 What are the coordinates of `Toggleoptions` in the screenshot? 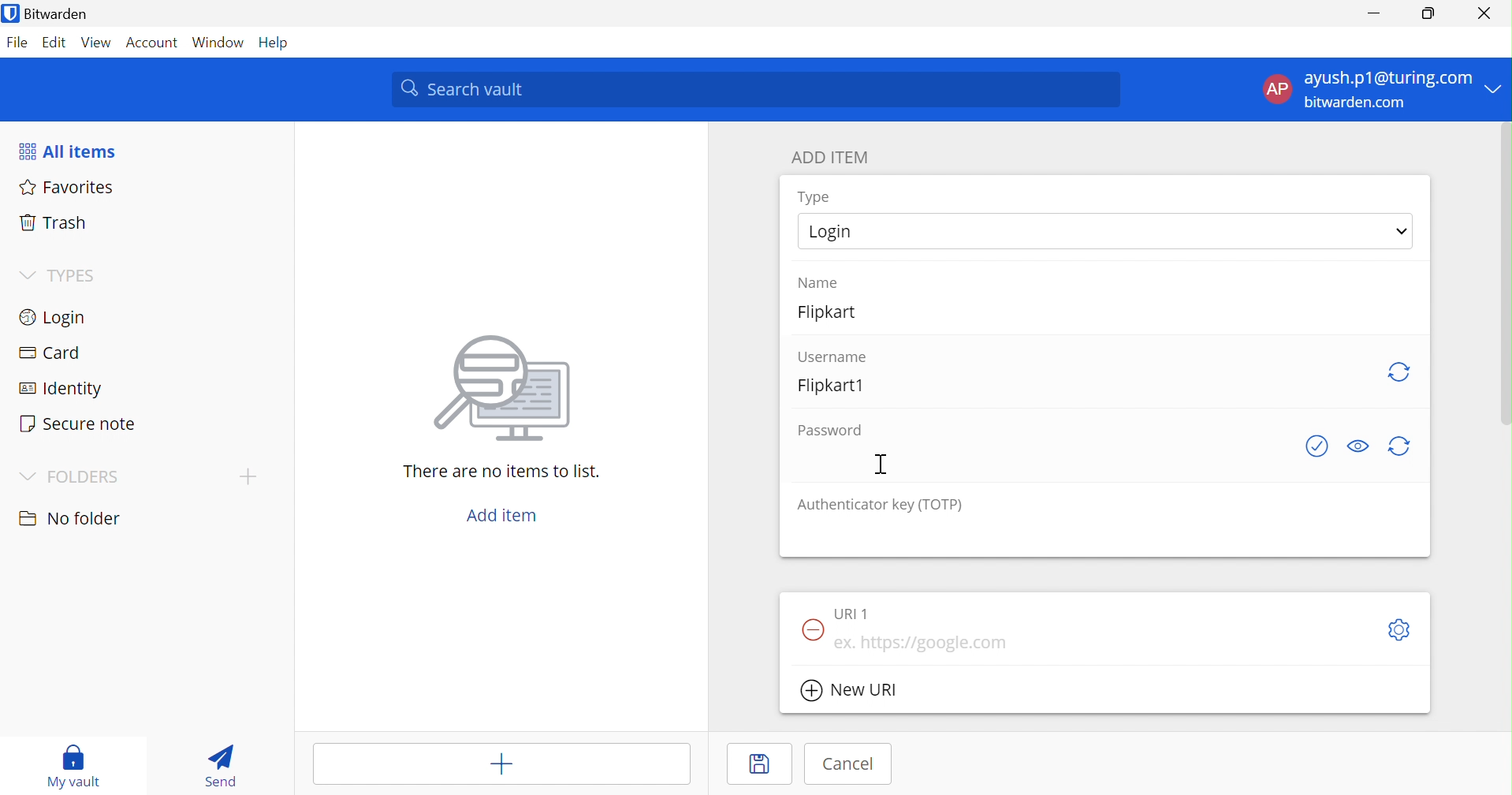 It's located at (1397, 629).